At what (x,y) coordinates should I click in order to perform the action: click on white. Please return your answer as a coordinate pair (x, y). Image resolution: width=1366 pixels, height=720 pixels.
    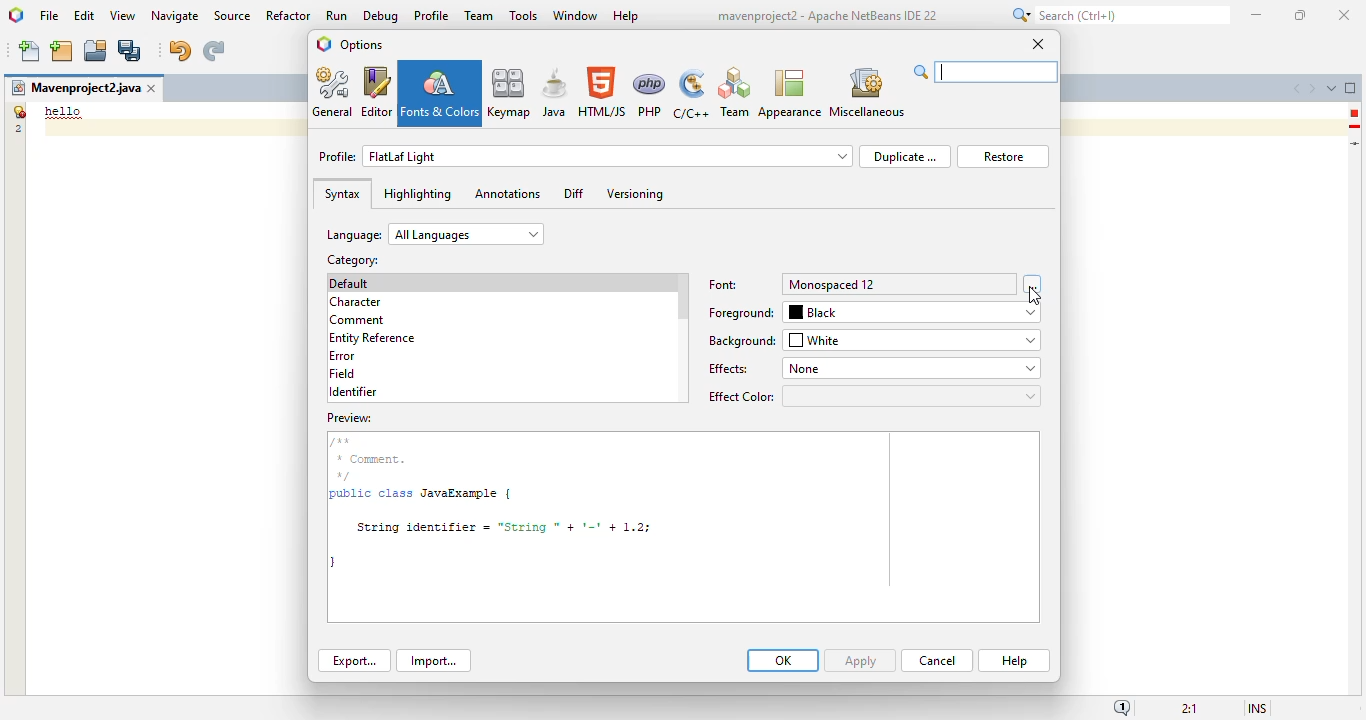
    Looking at the image, I should click on (913, 340).